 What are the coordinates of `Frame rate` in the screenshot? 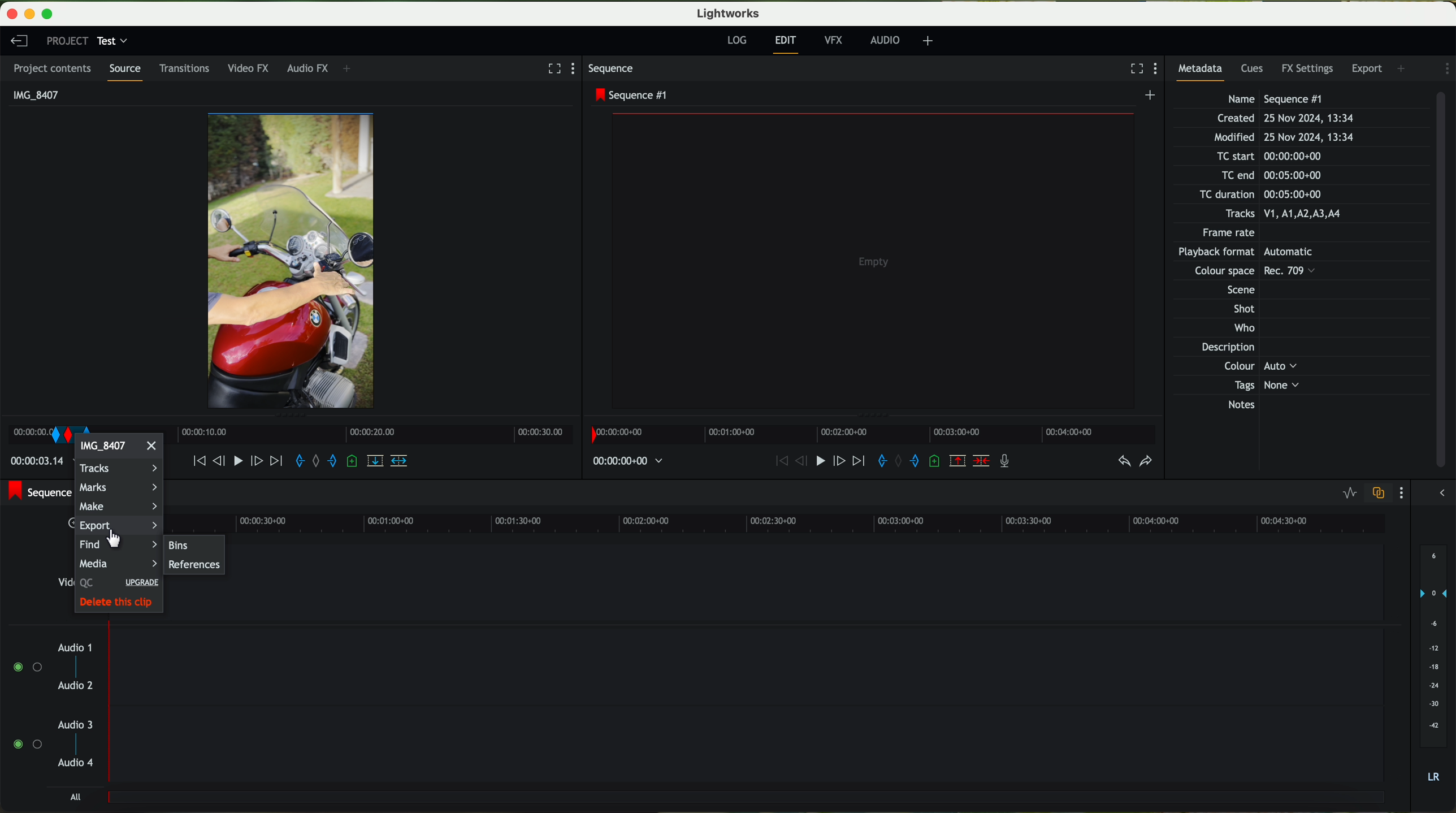 It's located at (1232, 235).